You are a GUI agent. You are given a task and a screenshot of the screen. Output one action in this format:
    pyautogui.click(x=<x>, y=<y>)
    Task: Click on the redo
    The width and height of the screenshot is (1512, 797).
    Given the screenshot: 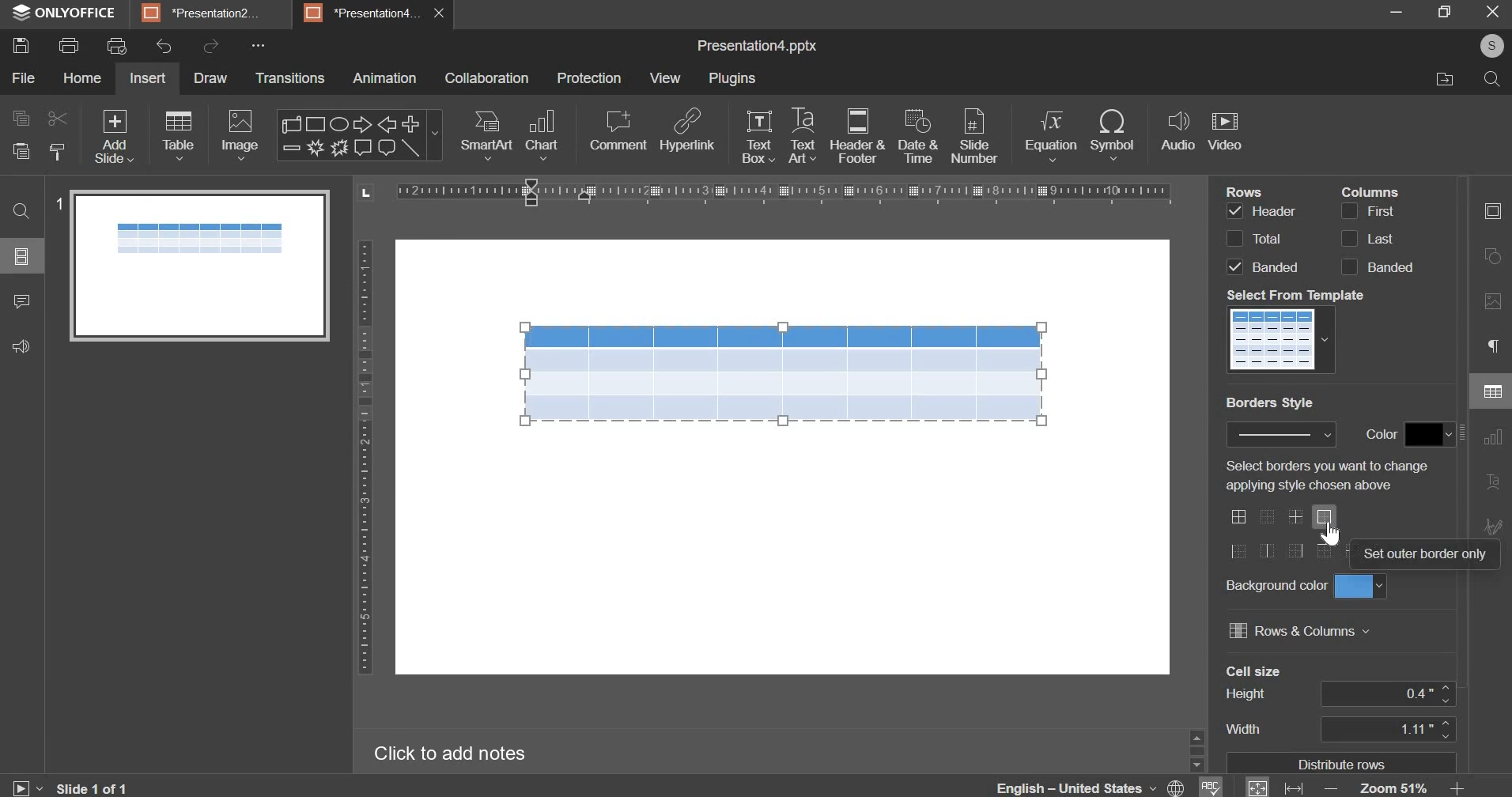 What is the action you would take?
    pyautogui.click(x=210, y=47)
    